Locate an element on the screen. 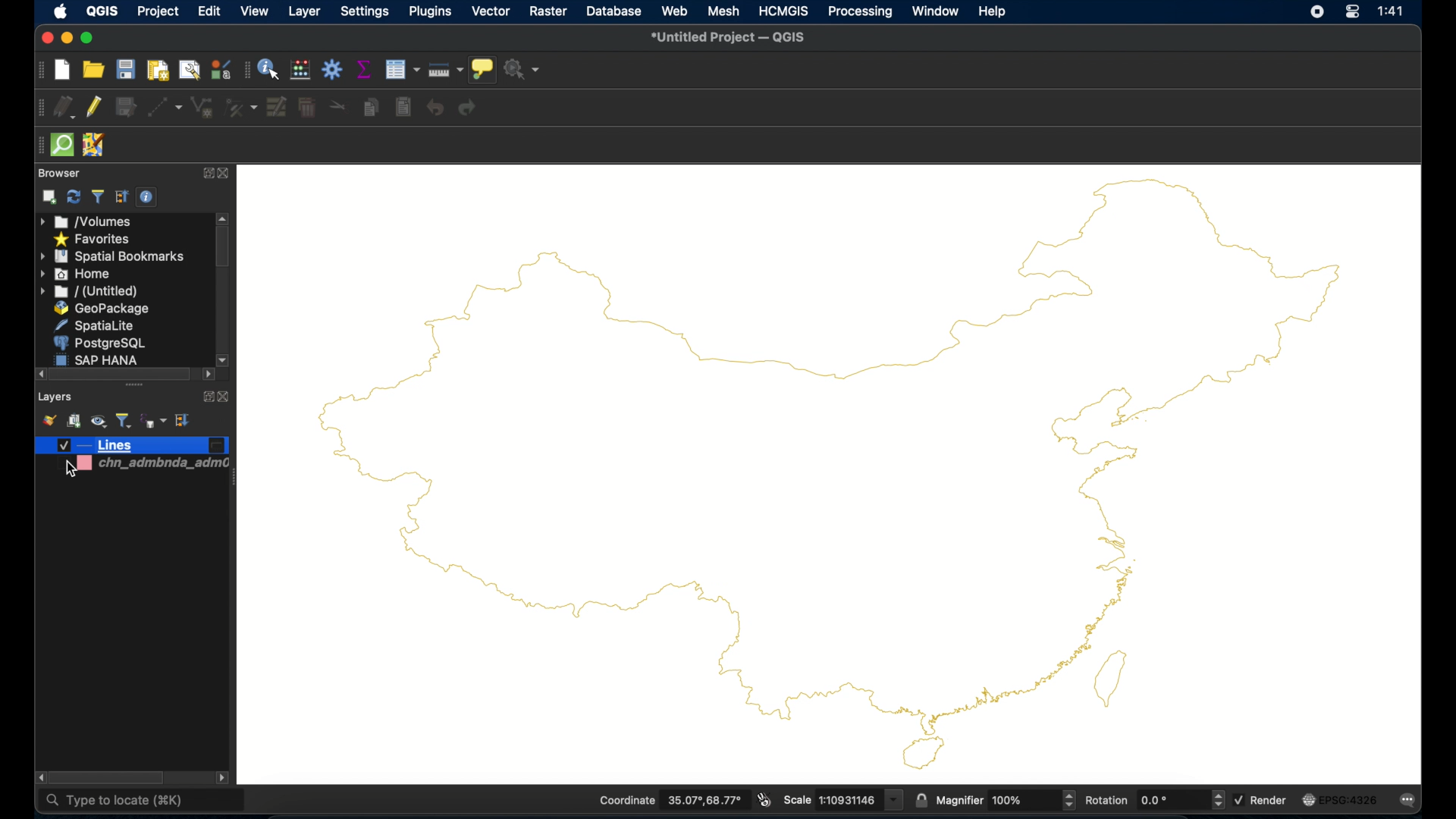  view is located at coordinates (255, 11).